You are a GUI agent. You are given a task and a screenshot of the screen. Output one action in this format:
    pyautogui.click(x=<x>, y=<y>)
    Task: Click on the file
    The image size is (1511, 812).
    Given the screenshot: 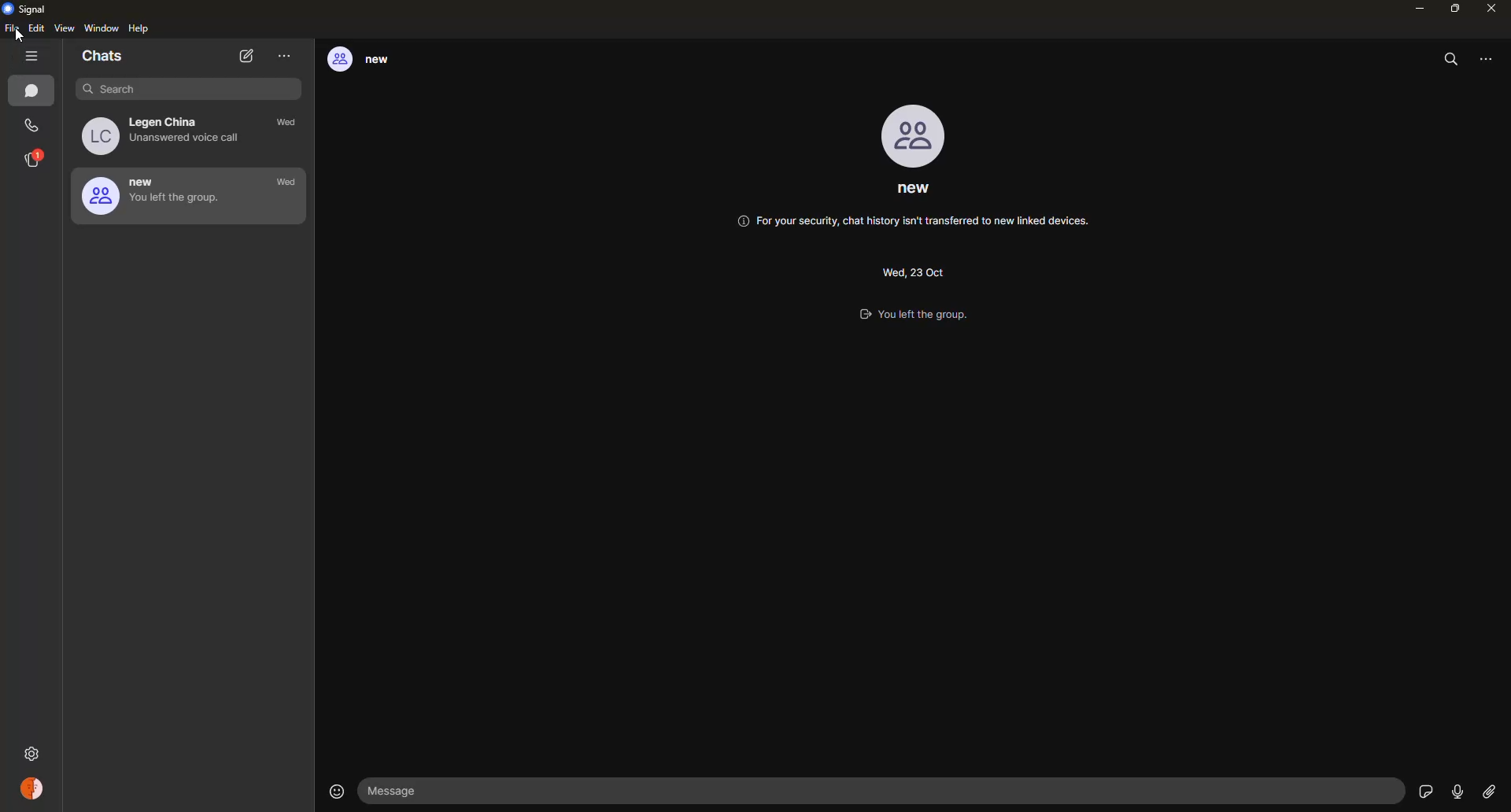 What is the action you would take?
    pyautogui.click(x=12, y=31)
    